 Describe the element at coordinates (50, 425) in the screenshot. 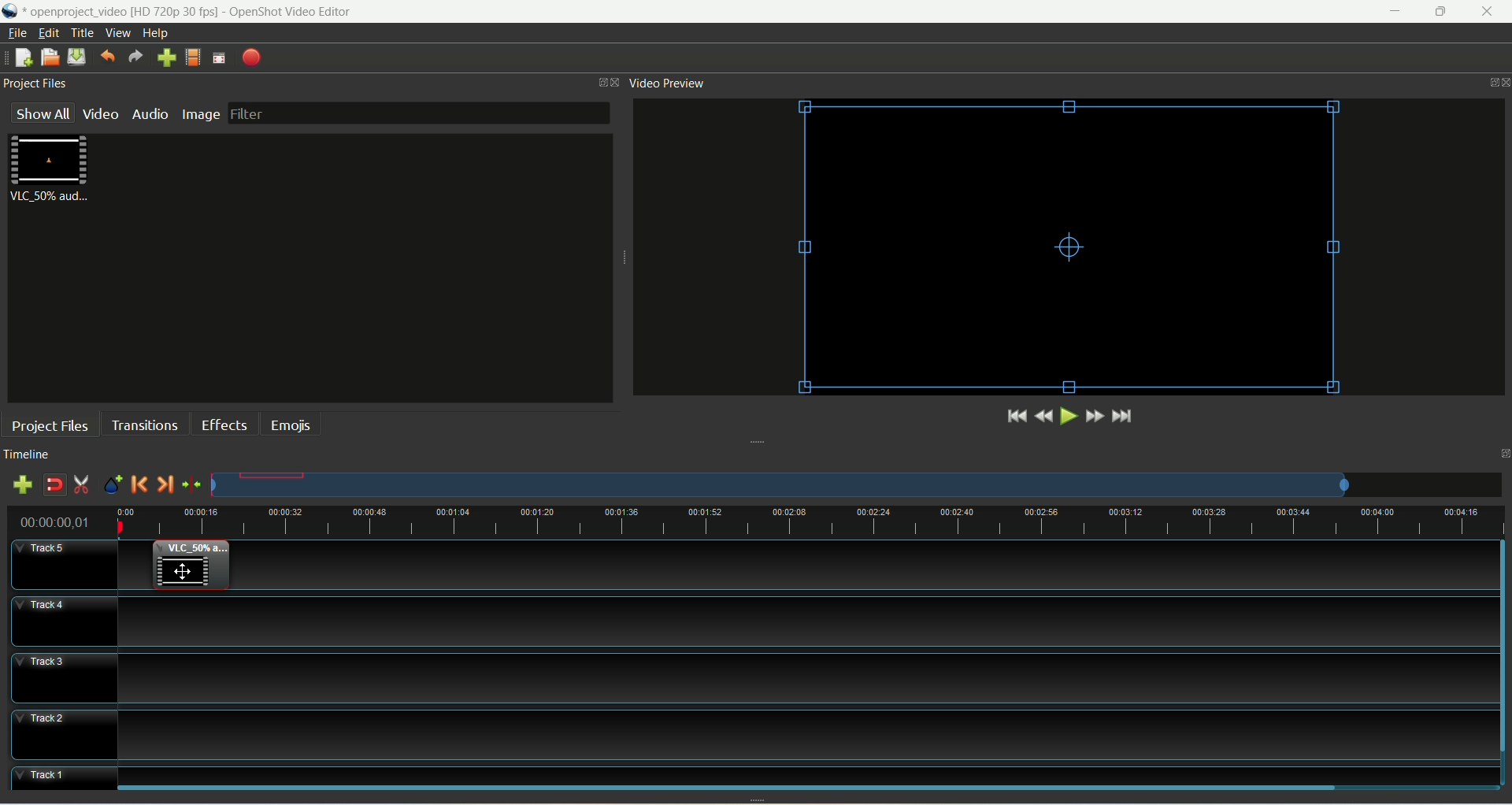

I see `project files` at that location.